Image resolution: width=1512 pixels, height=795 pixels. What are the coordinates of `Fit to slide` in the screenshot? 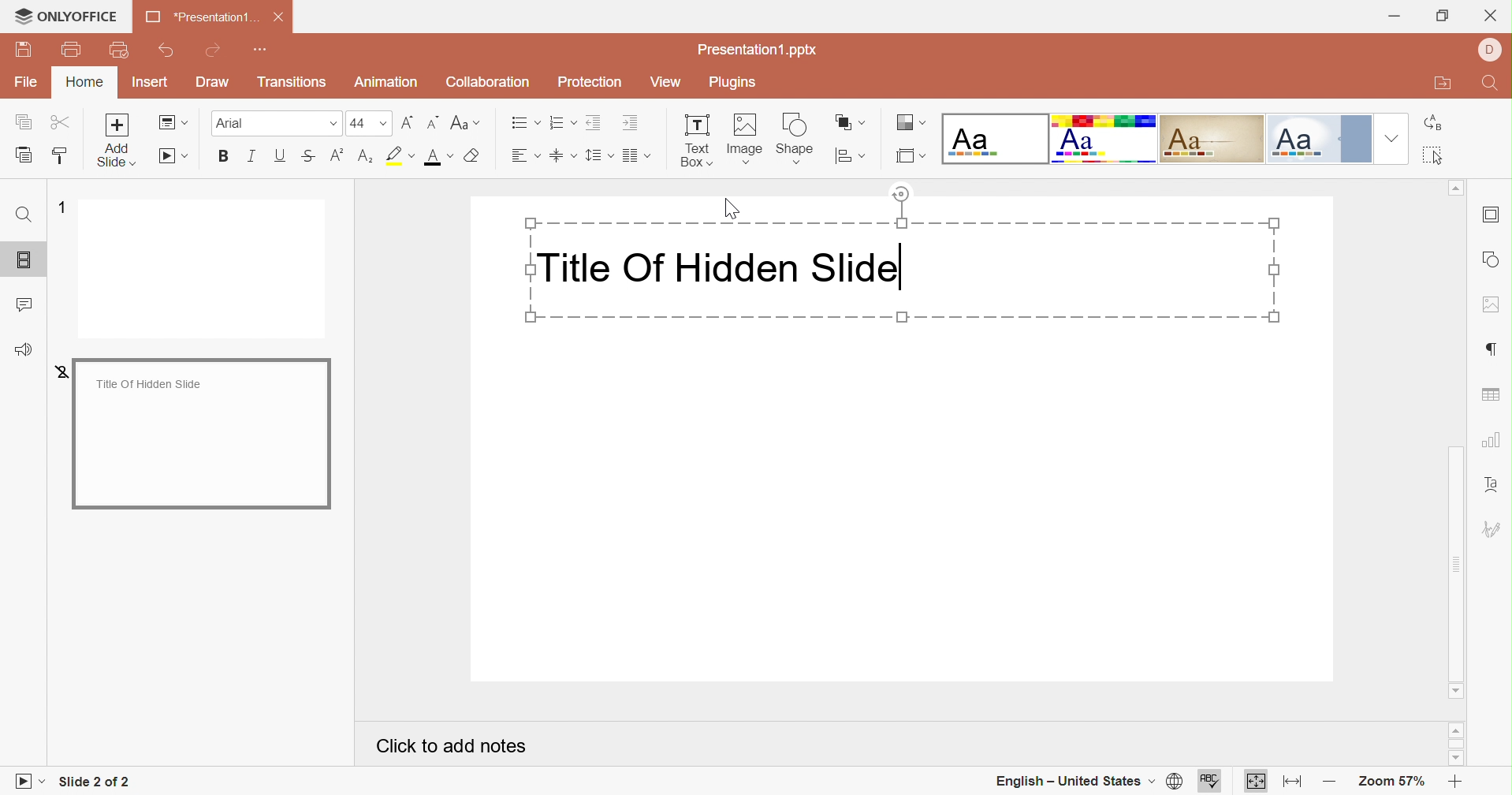 It's located at (1256, 782).